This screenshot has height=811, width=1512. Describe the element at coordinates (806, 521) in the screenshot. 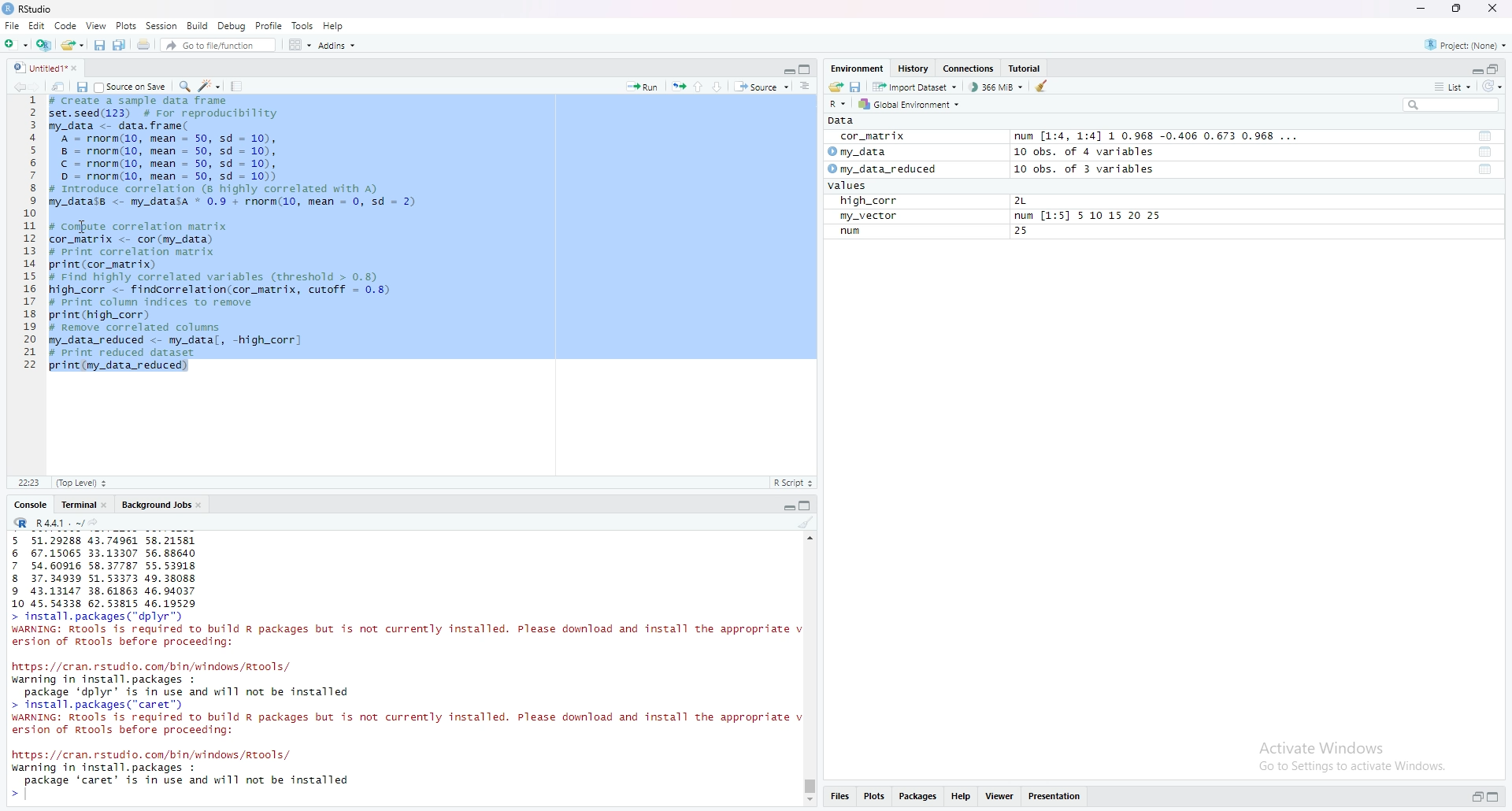

I see `clean` at that location.